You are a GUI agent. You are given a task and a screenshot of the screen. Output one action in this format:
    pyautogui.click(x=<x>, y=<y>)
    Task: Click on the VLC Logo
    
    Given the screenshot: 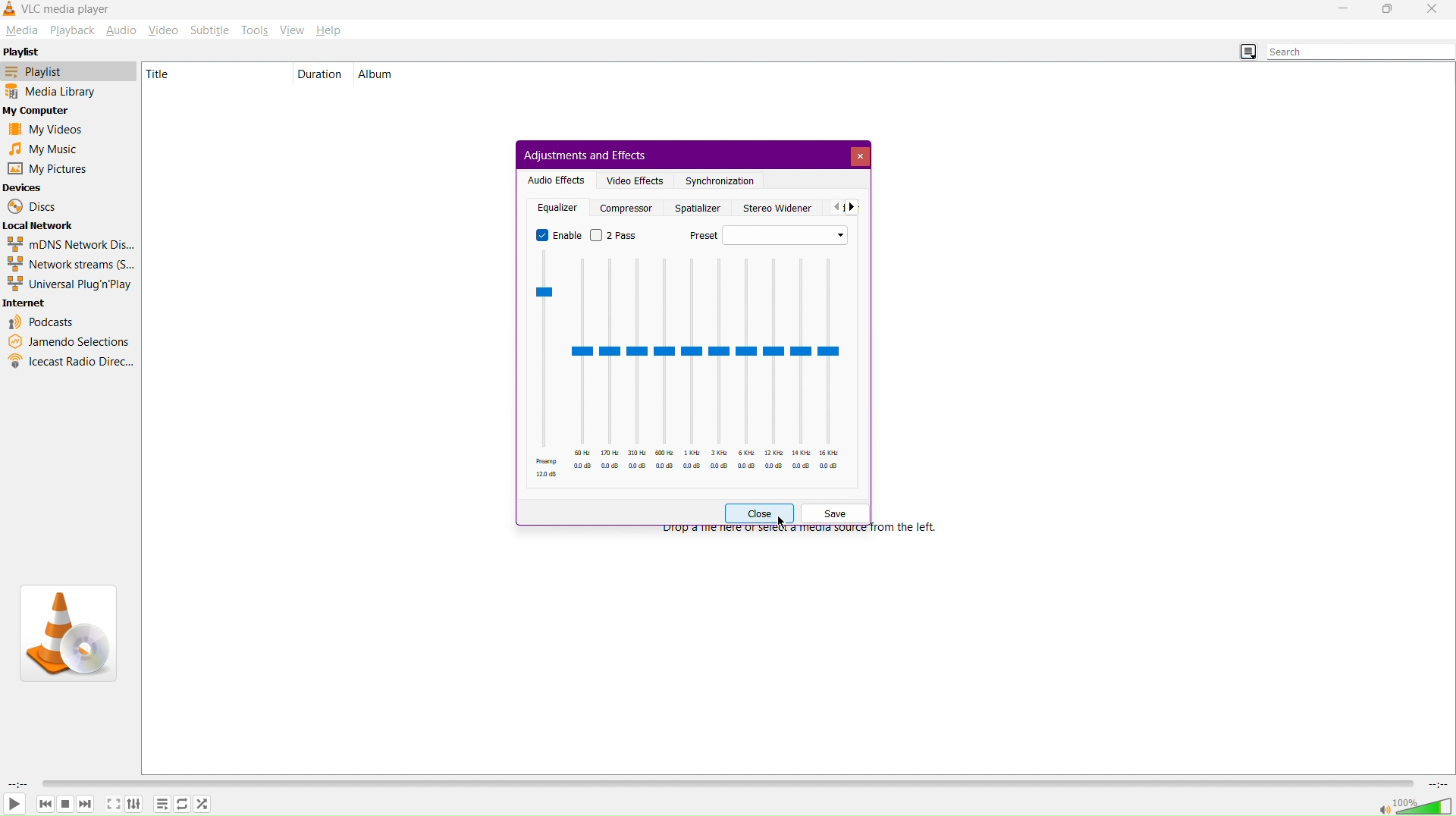 What is the action you would take?
    pyautogui.click(x=71, y=626)
    